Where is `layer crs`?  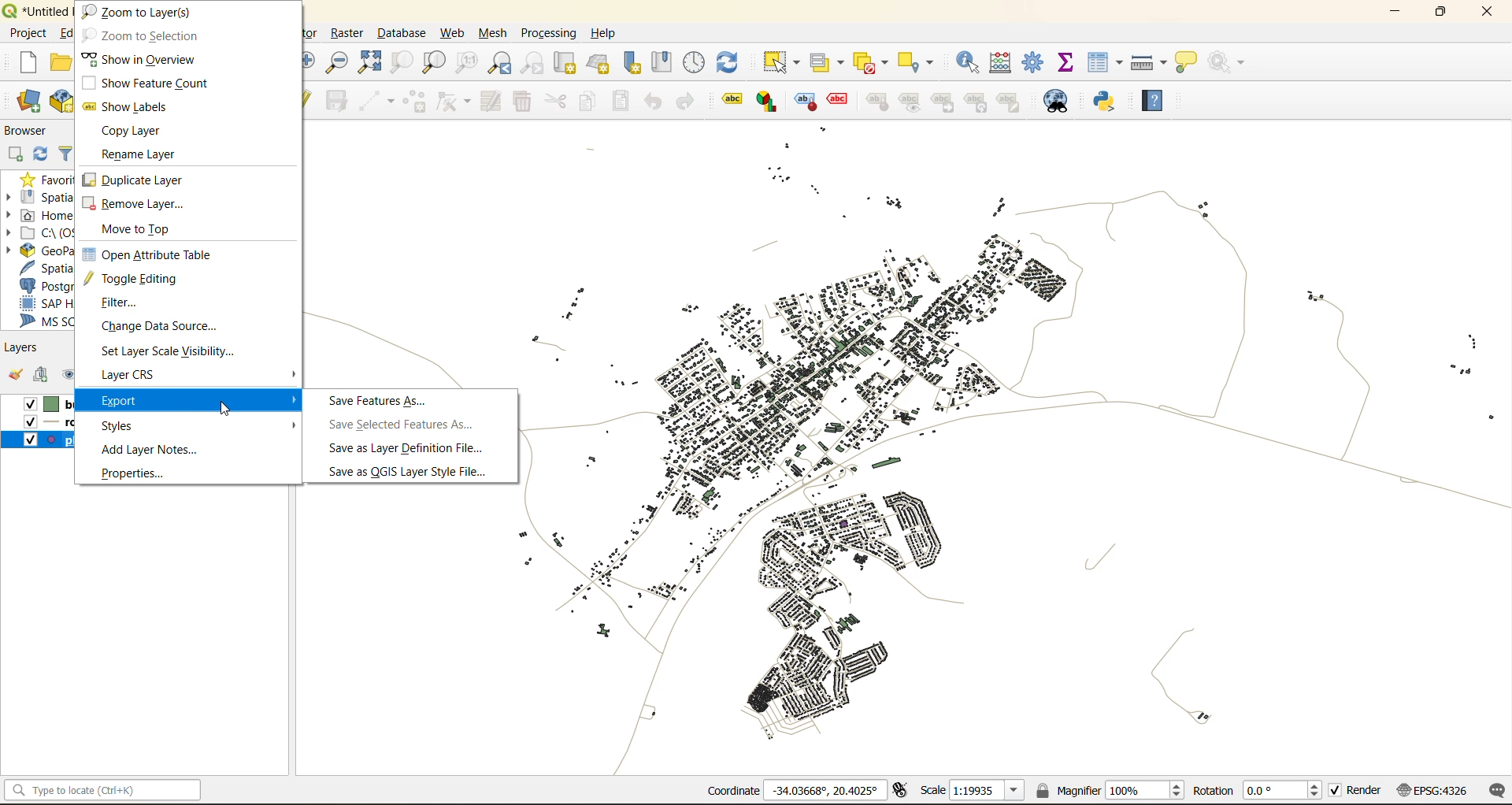
layer crs is located at coordinates (142, 376).